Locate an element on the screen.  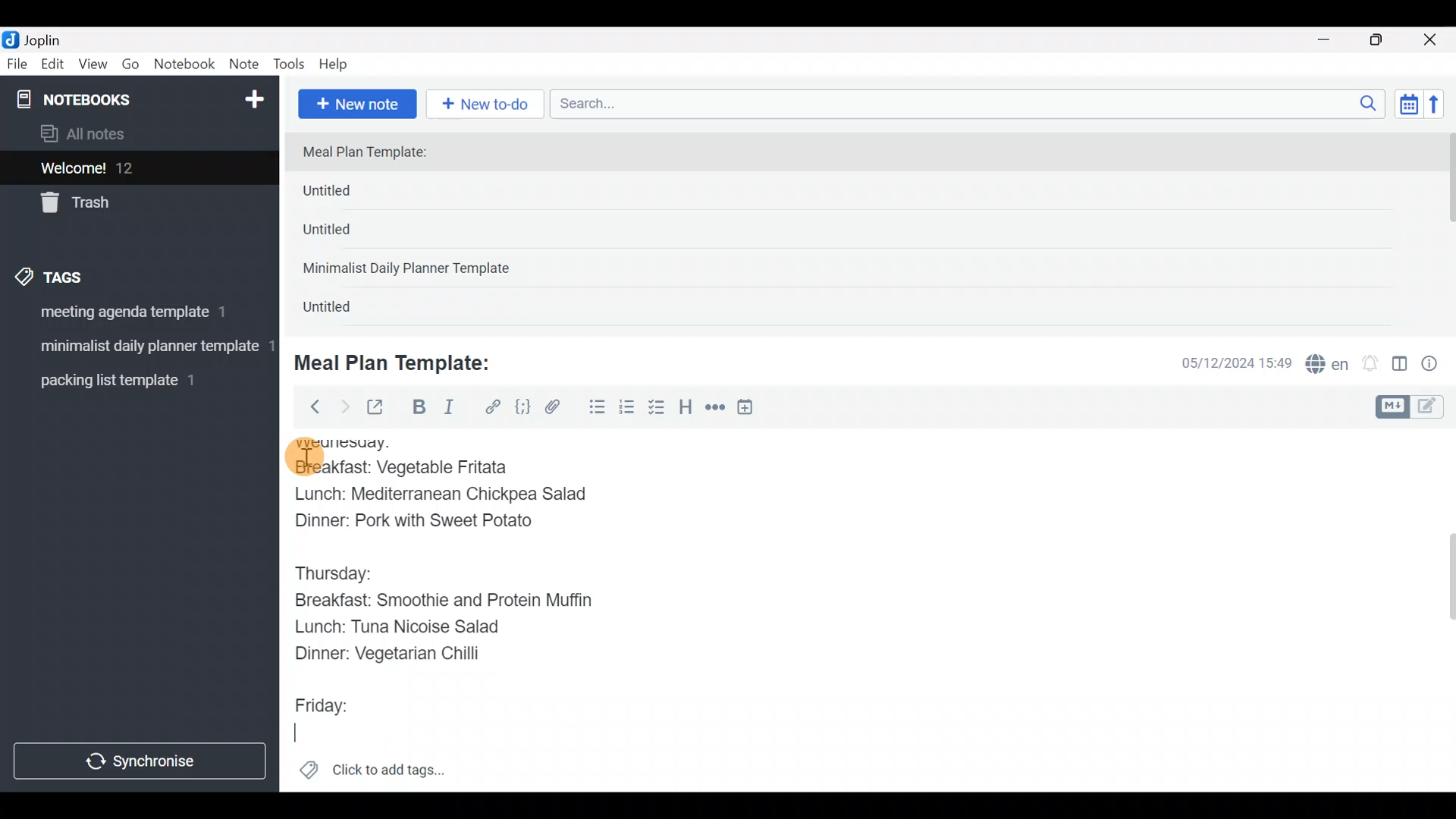
Search bar is located at coordinates (971, 102).